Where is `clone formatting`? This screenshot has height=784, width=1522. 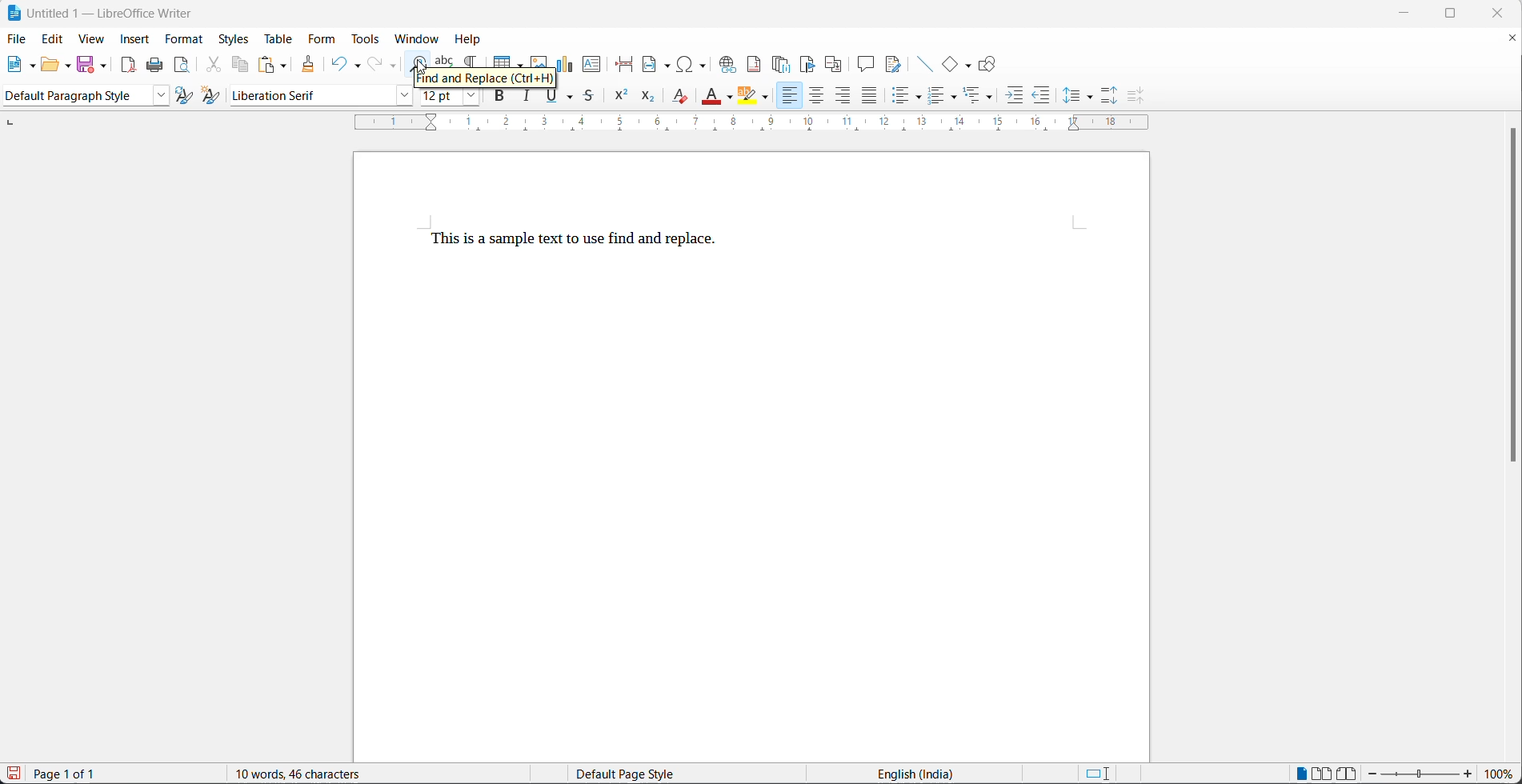
clone formatting is located at coordinates (310, 65).